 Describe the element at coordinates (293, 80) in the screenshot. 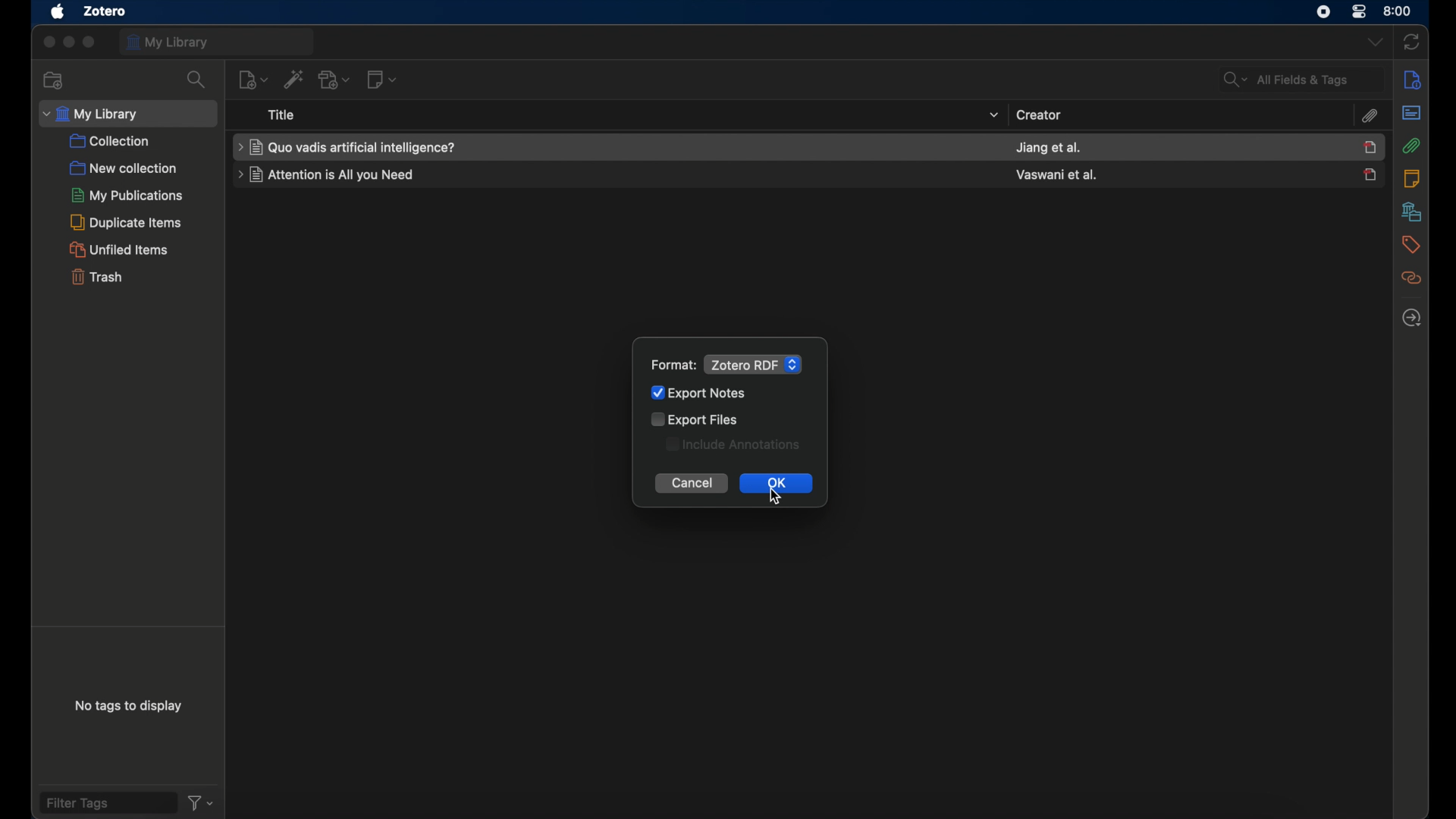

I see `add item by identifier` at that location.